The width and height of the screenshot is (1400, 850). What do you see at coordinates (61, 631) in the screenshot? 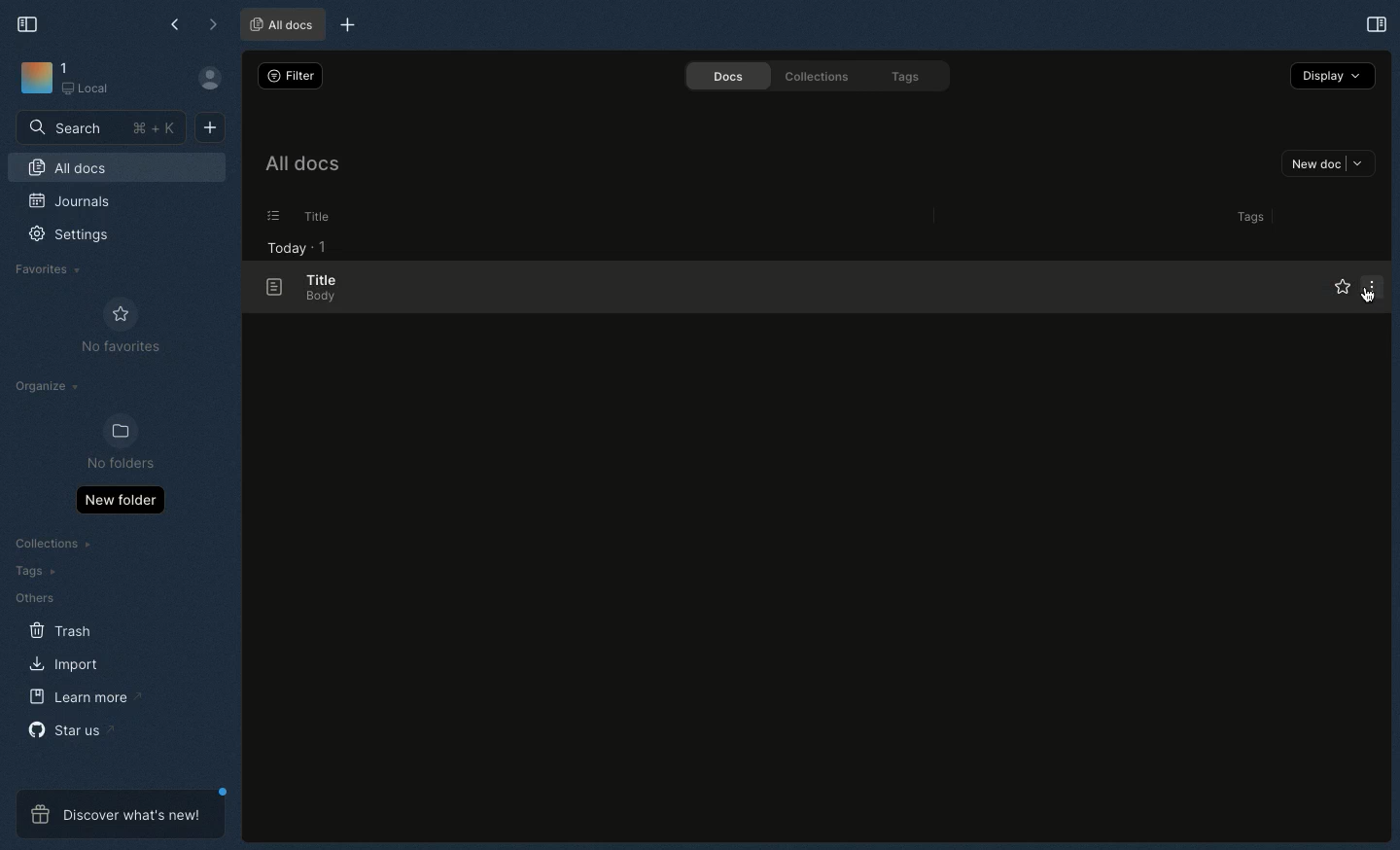
I see `Trash` at bounding box center [61, 631].